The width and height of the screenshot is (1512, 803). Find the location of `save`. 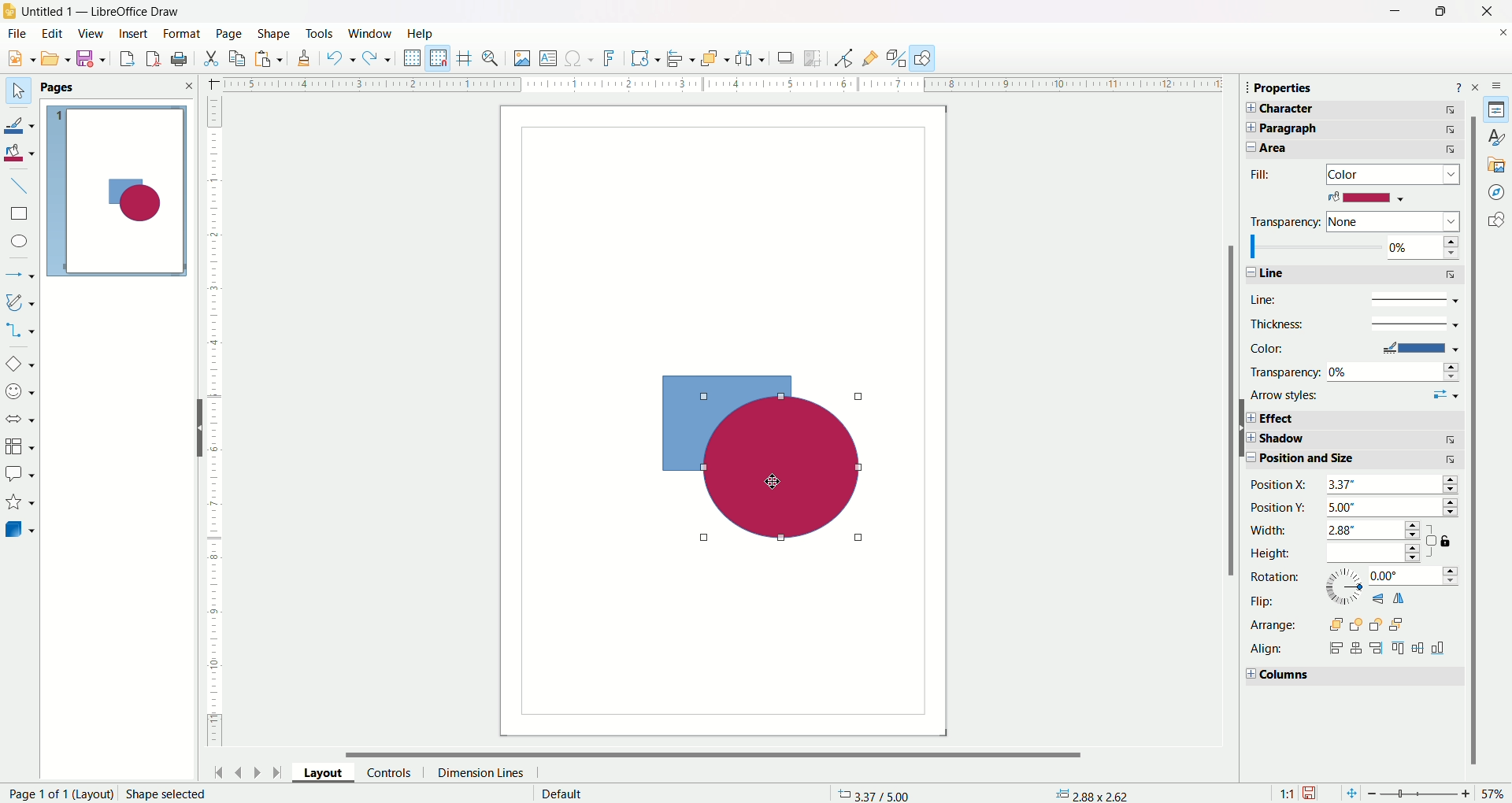

save is located at coordinates (94, 60).